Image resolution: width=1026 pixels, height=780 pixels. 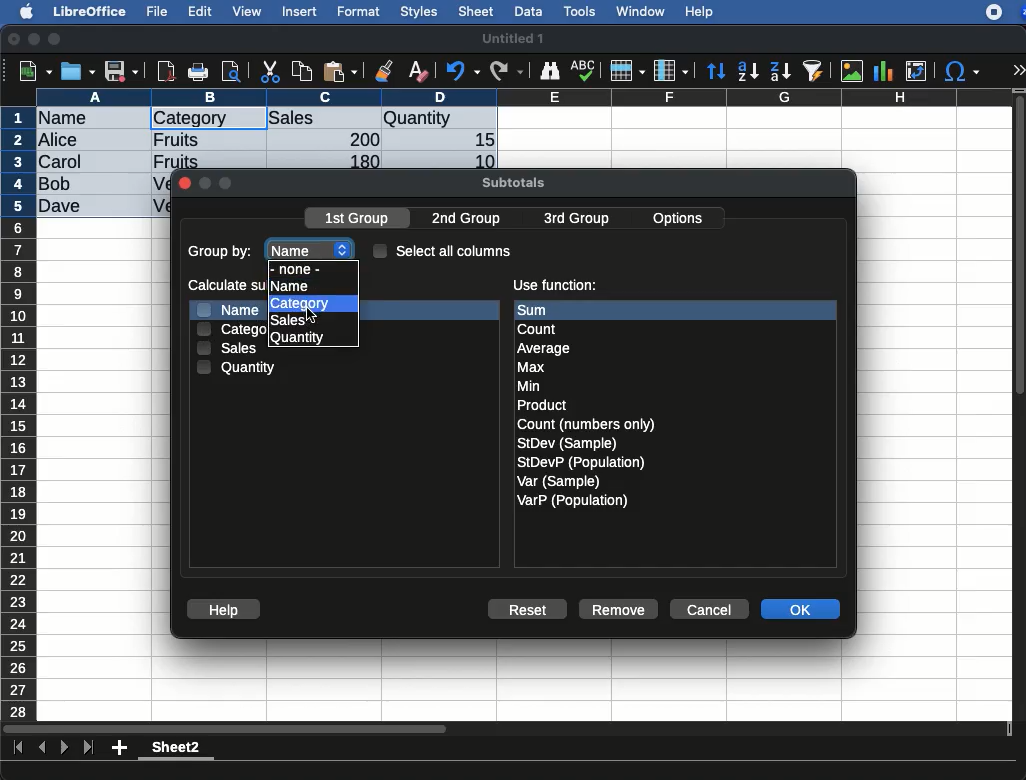 What do you see at coordinates (619, 609) in the screenshot?
I see `remove` at bounding box center [619, 609].